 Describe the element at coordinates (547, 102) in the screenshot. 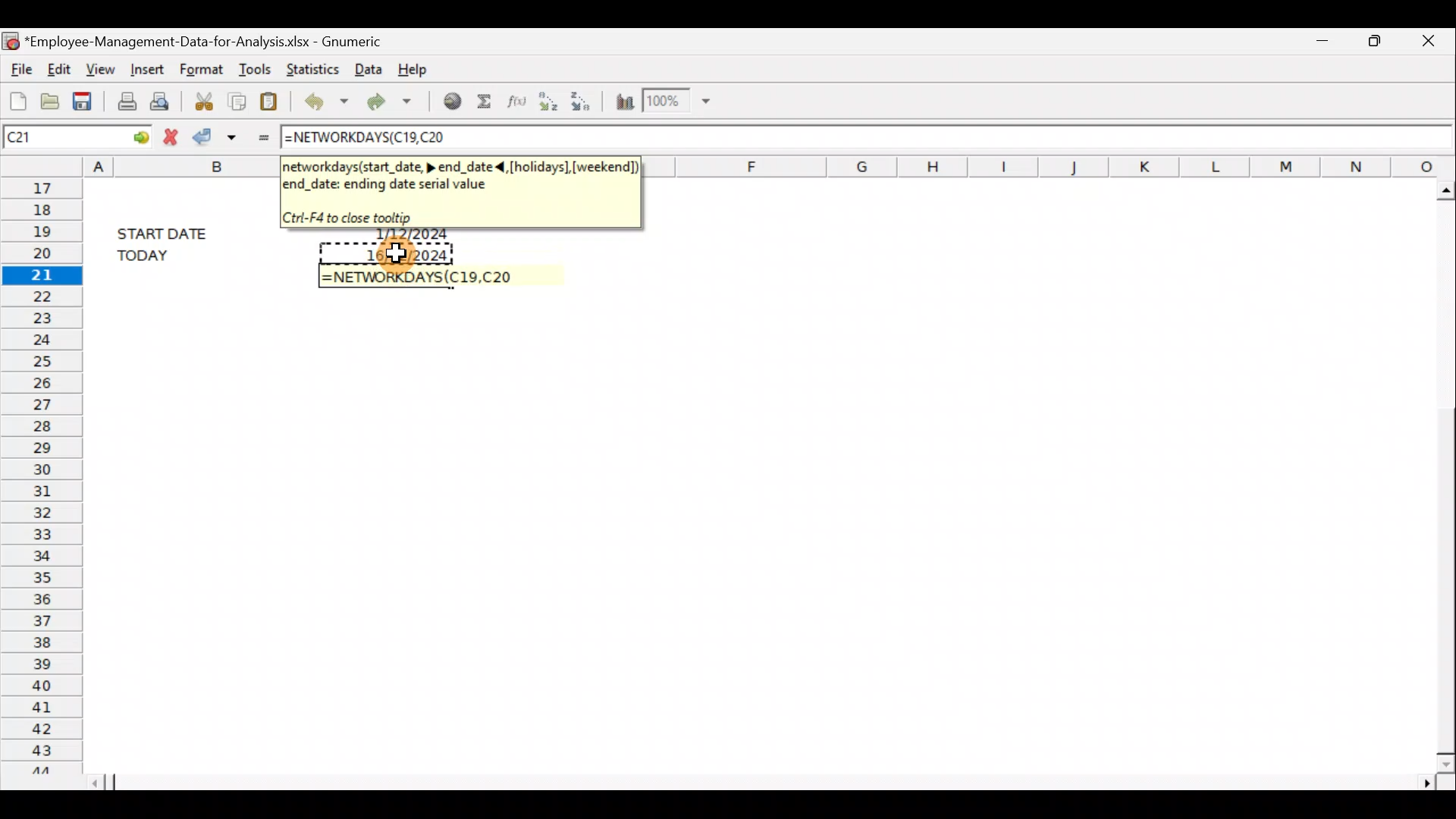

I see `Sort in Ascending order` at that location.